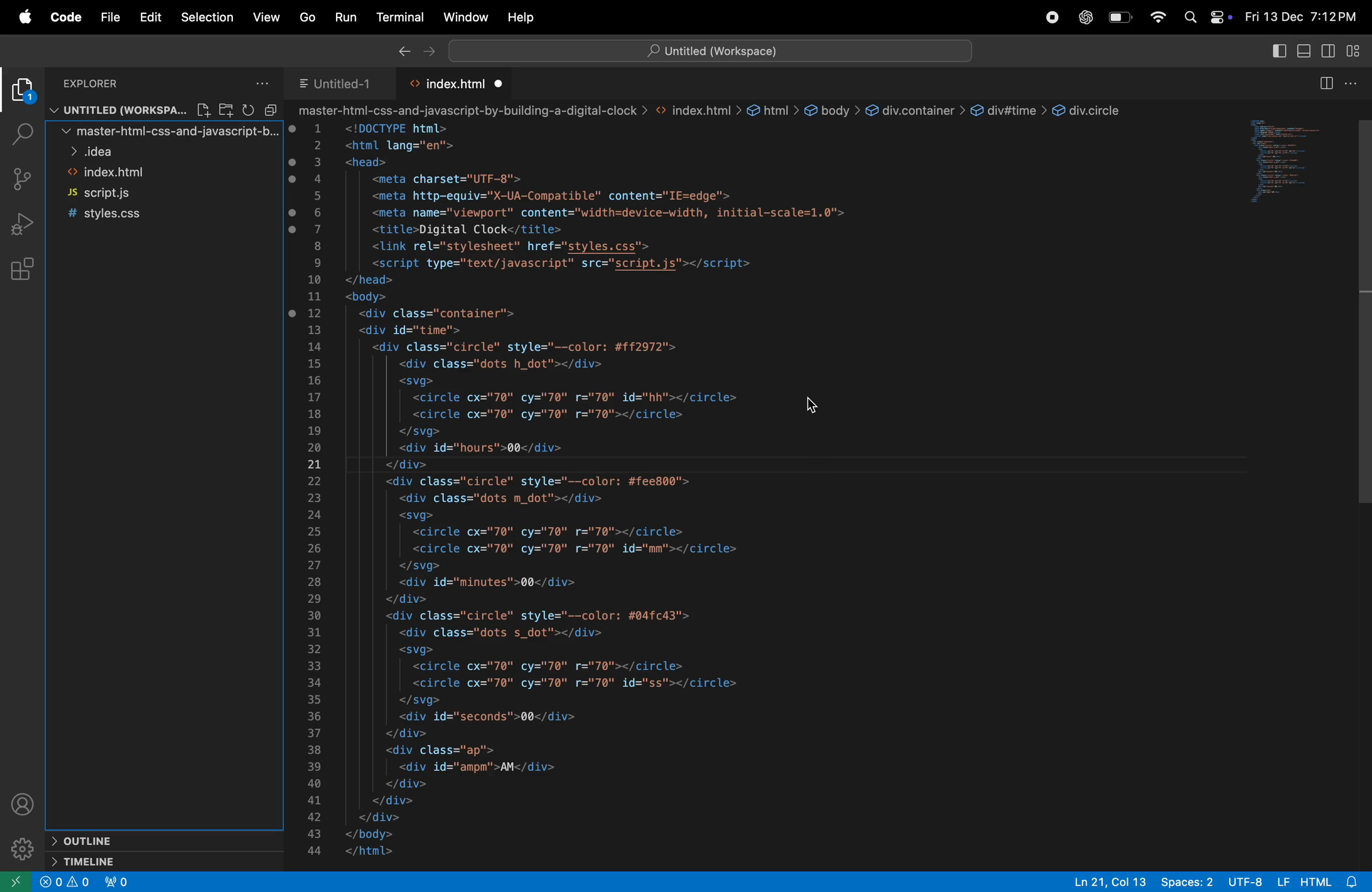 This screenshot has width=1372, height=892. What do you see at coordinates (122, 862) in the screenshot?
I see `timeline` at bounding box center [122, 862].